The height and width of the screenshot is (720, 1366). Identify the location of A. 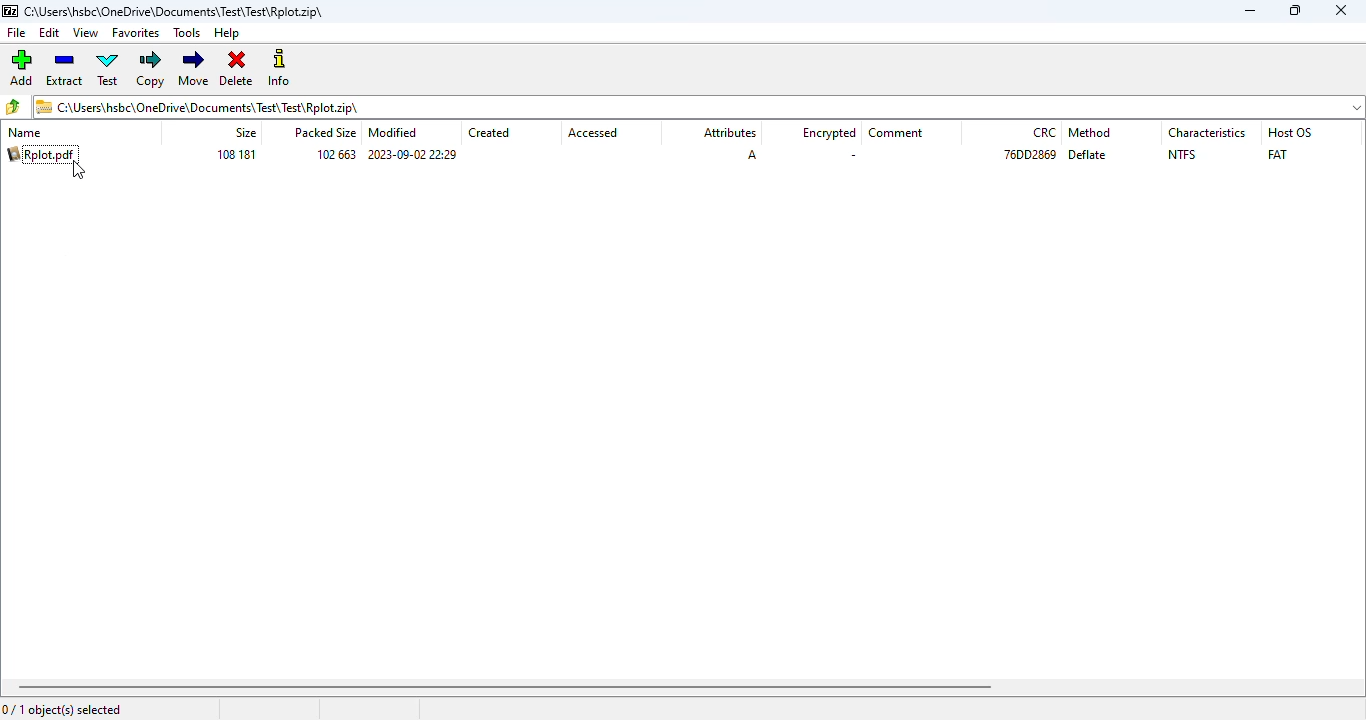
(753, 155).